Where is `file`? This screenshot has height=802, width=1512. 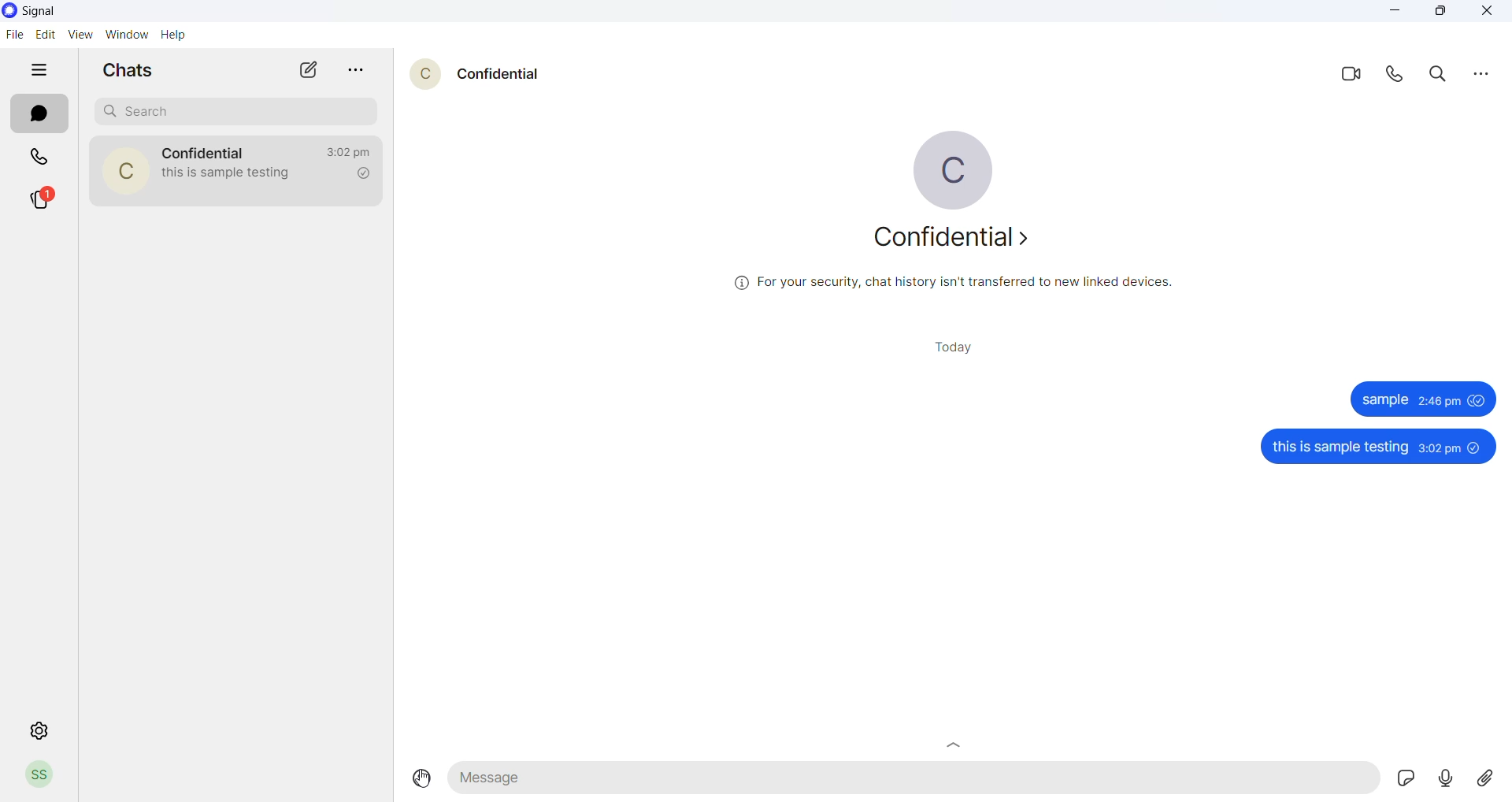
file is located at coordinates (14, 35).